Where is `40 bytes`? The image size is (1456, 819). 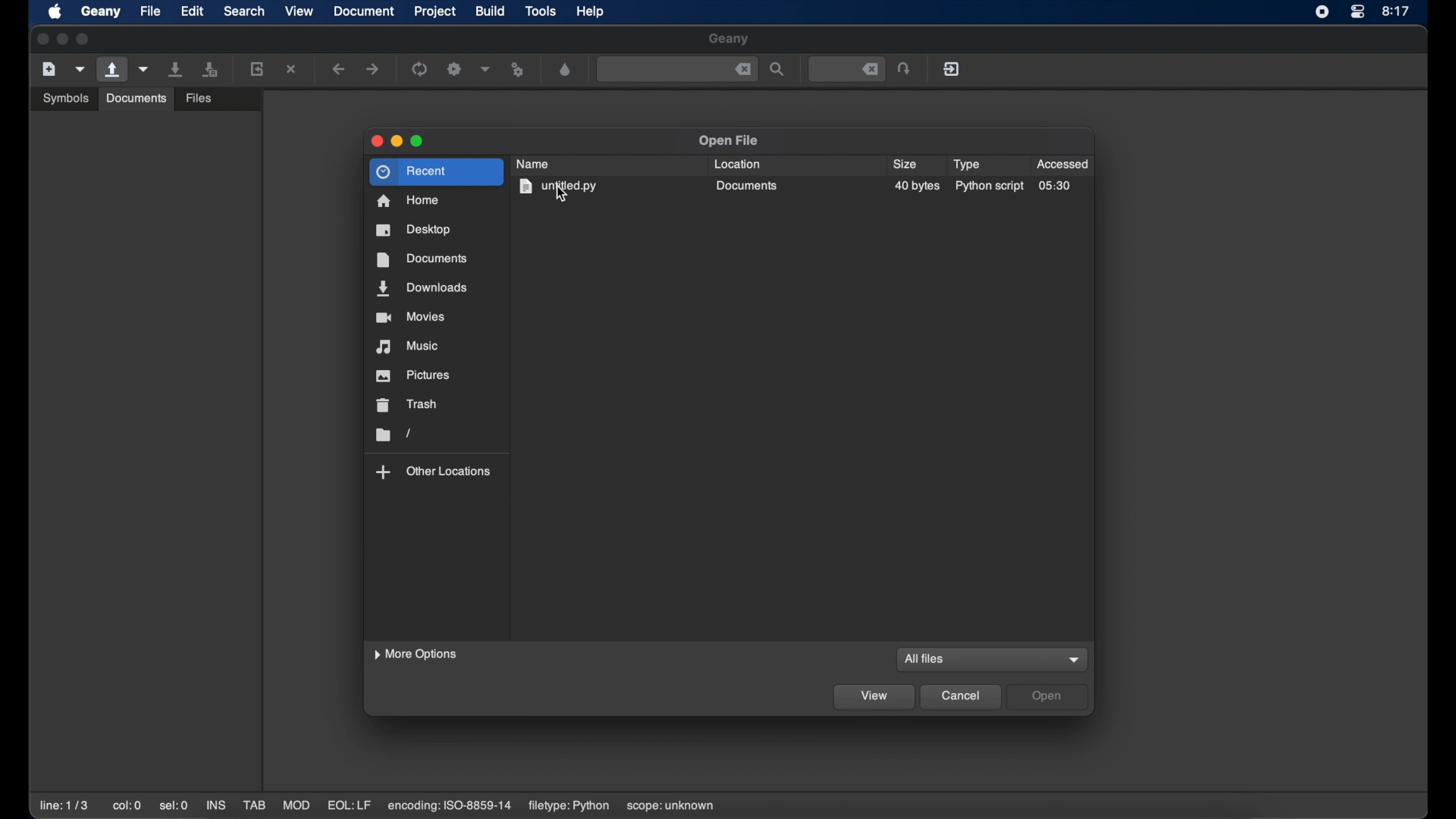 40 bytes is located at coordinates (918, 187).